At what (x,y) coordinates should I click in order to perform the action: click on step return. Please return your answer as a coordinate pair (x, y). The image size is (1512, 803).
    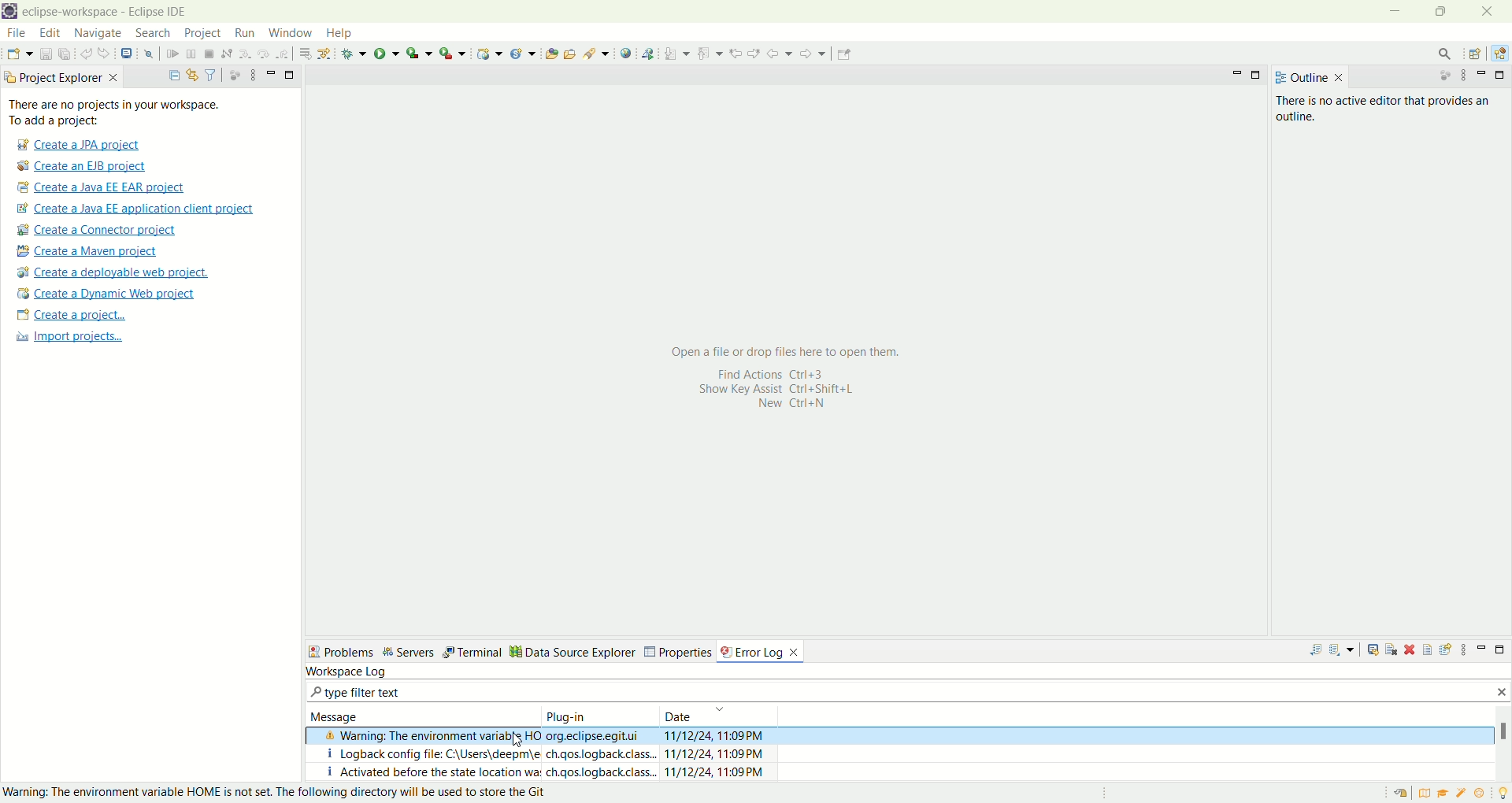
    Looking at the image, I should click on (283, 54).